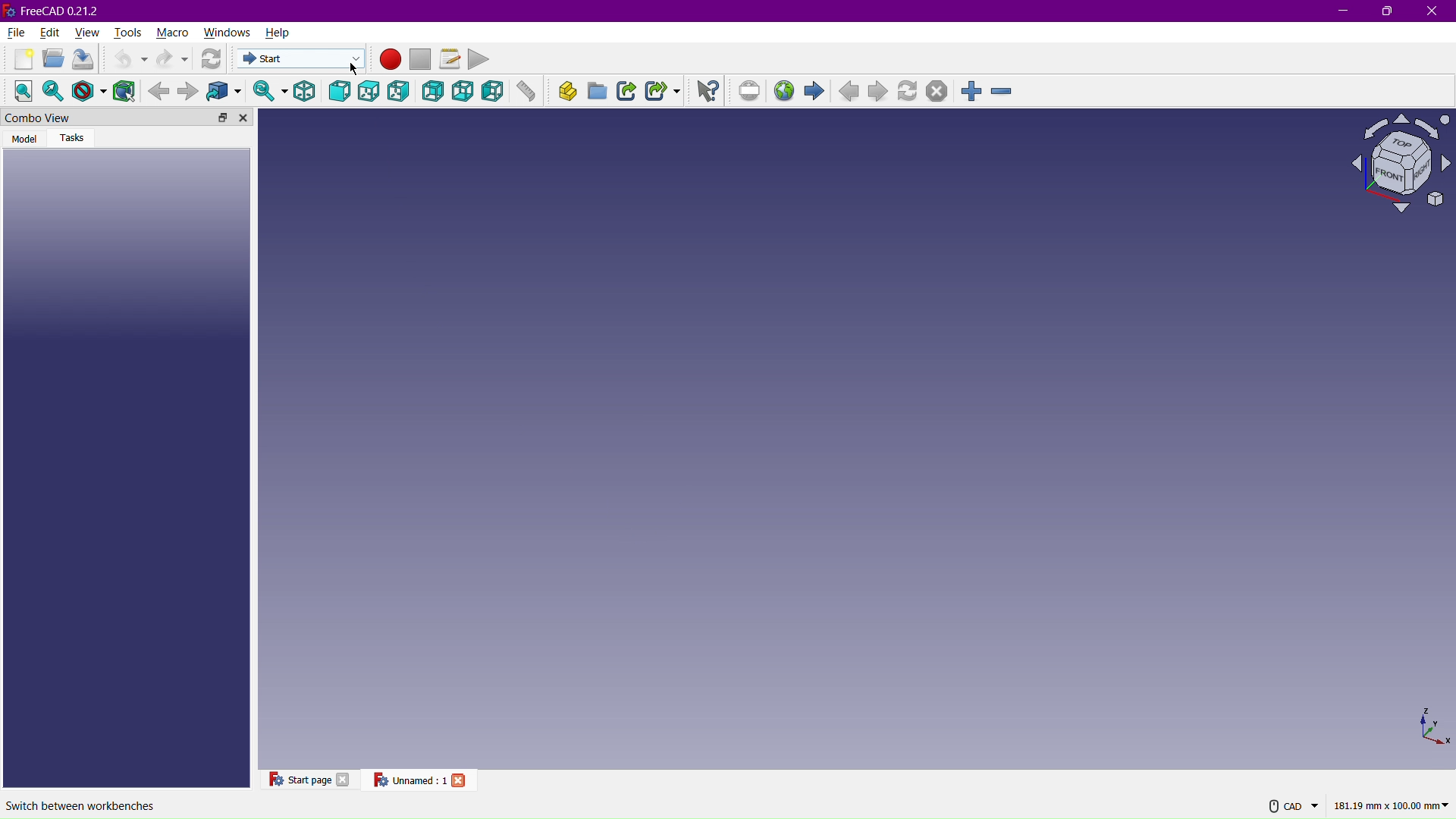 The image size is (1456, 819). I want to click on Create part, so click(567, 90).